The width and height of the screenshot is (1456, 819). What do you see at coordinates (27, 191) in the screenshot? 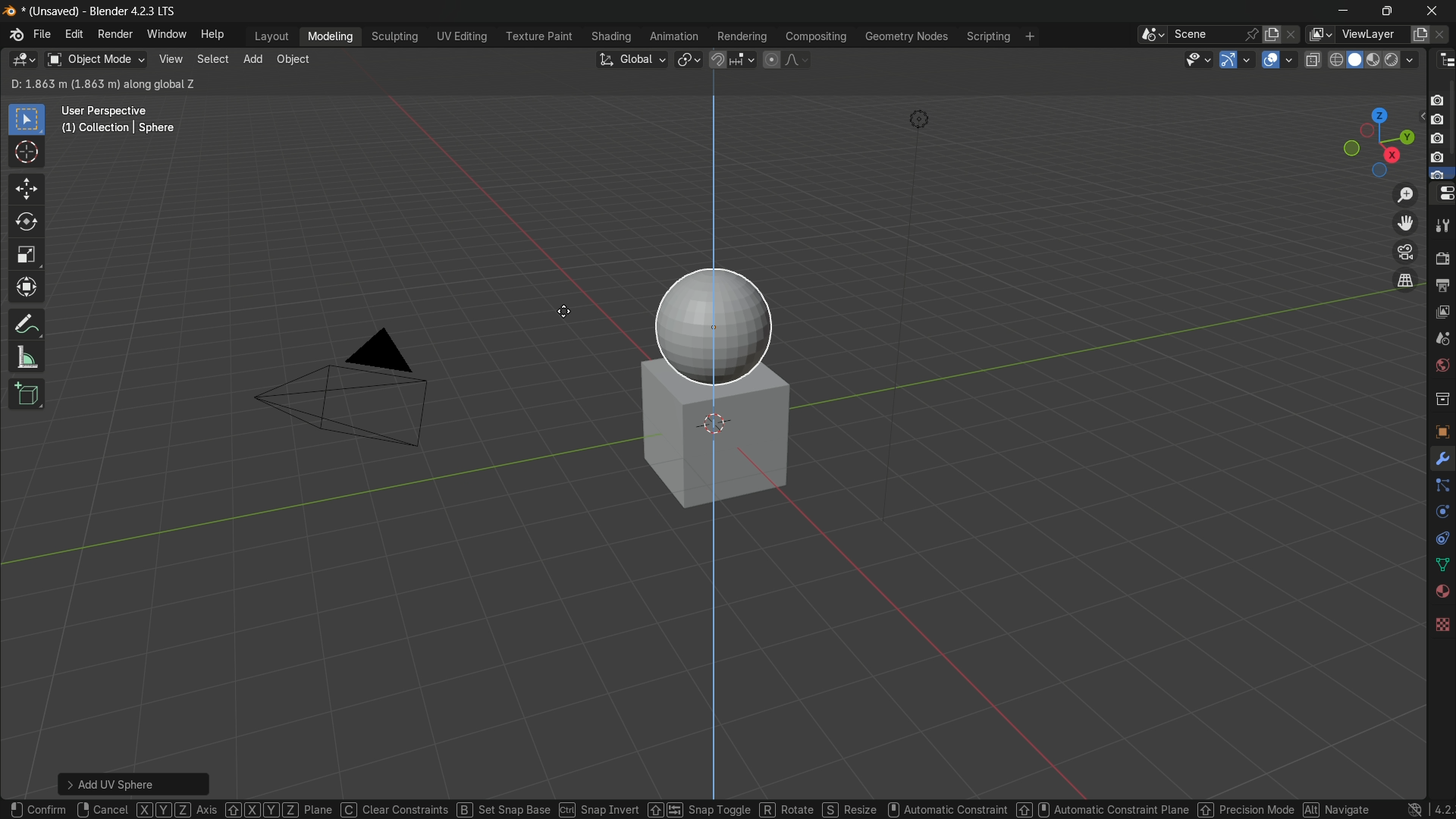
I see `move` at bounding box center [27, 191].